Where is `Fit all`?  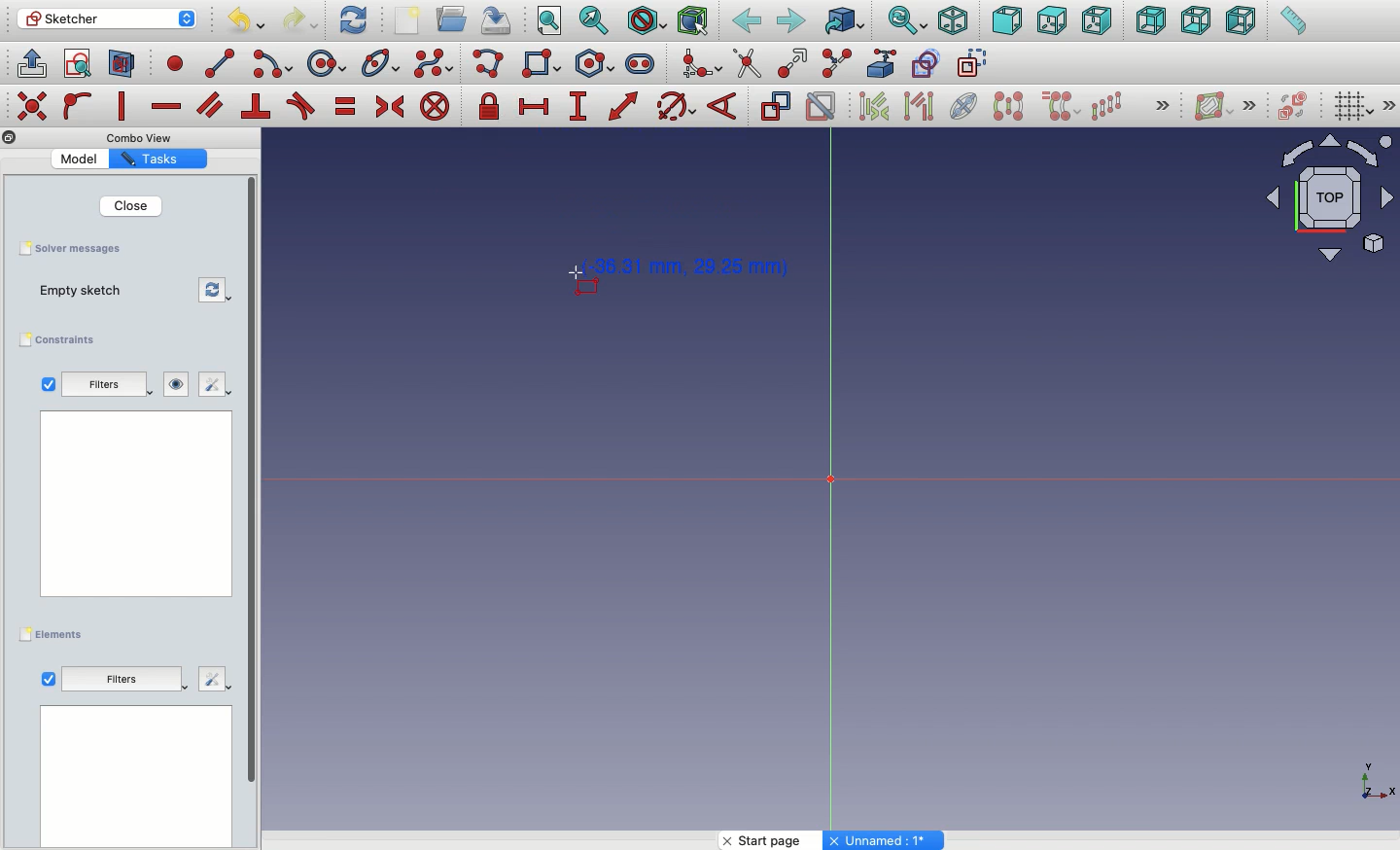 Fit all is located at coordinates (547, 22).